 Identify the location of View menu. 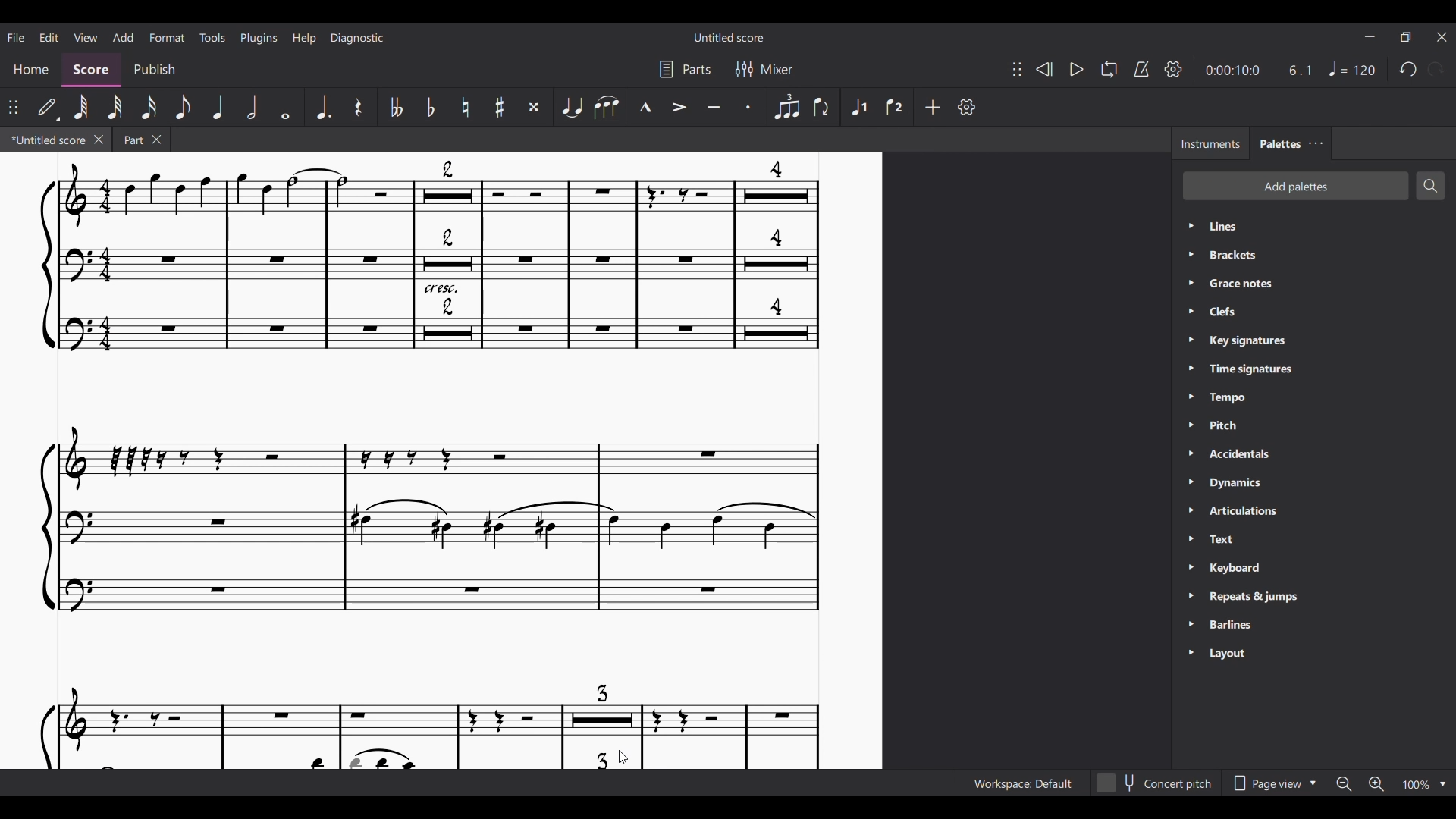
(85, 37).